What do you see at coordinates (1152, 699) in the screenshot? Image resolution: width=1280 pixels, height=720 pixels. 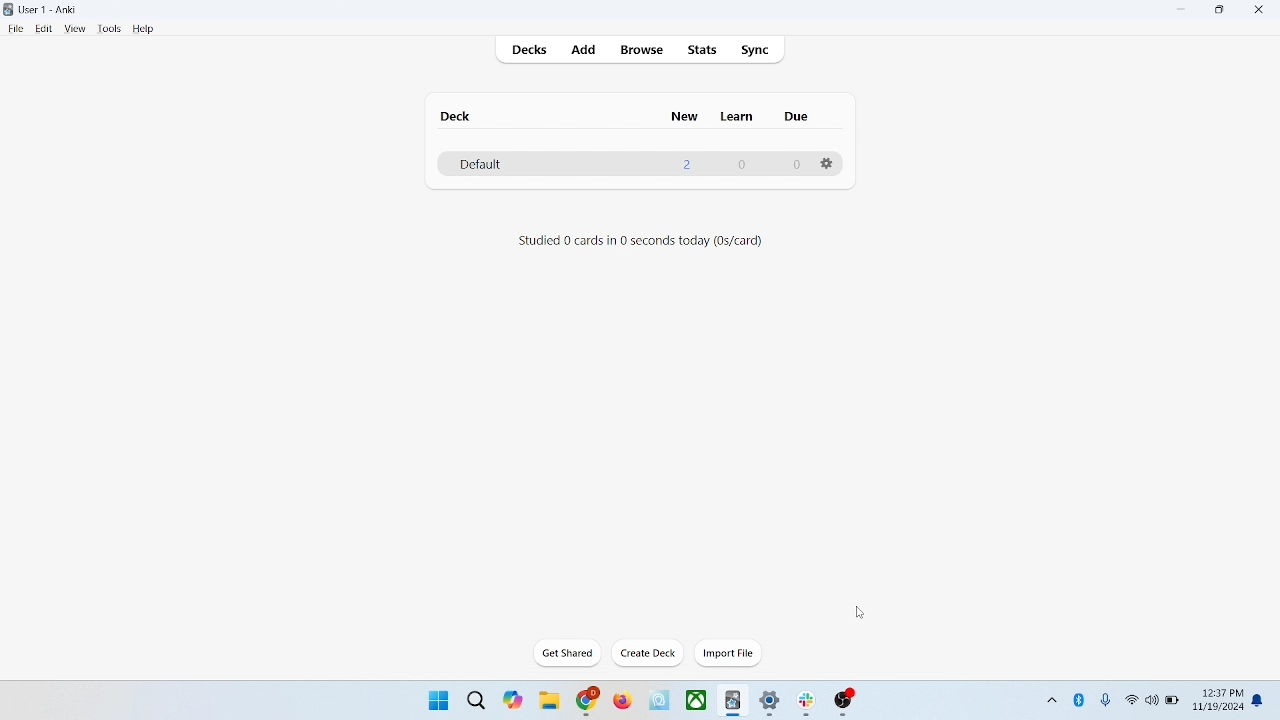 I see `speaker` at bounding box center [1152, 699].